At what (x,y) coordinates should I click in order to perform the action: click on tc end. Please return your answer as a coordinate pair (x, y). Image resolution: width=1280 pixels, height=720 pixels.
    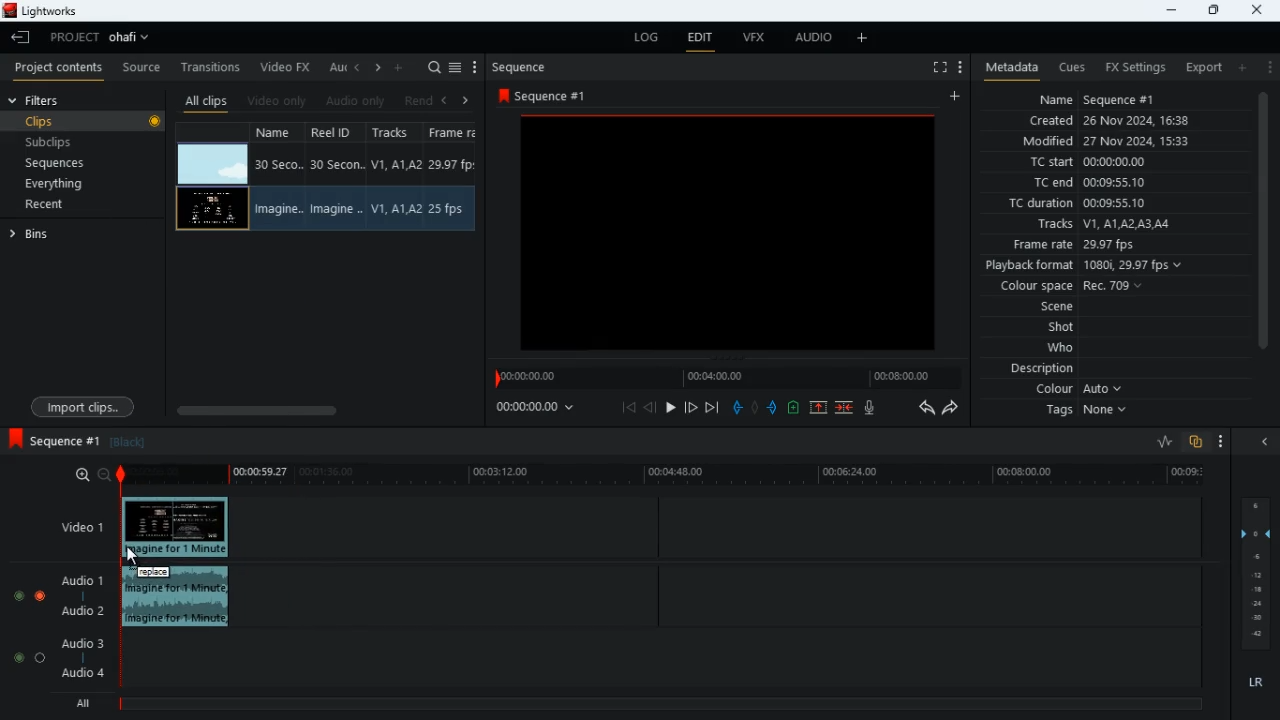
    Looking at the image, I should click on (1096, 183).